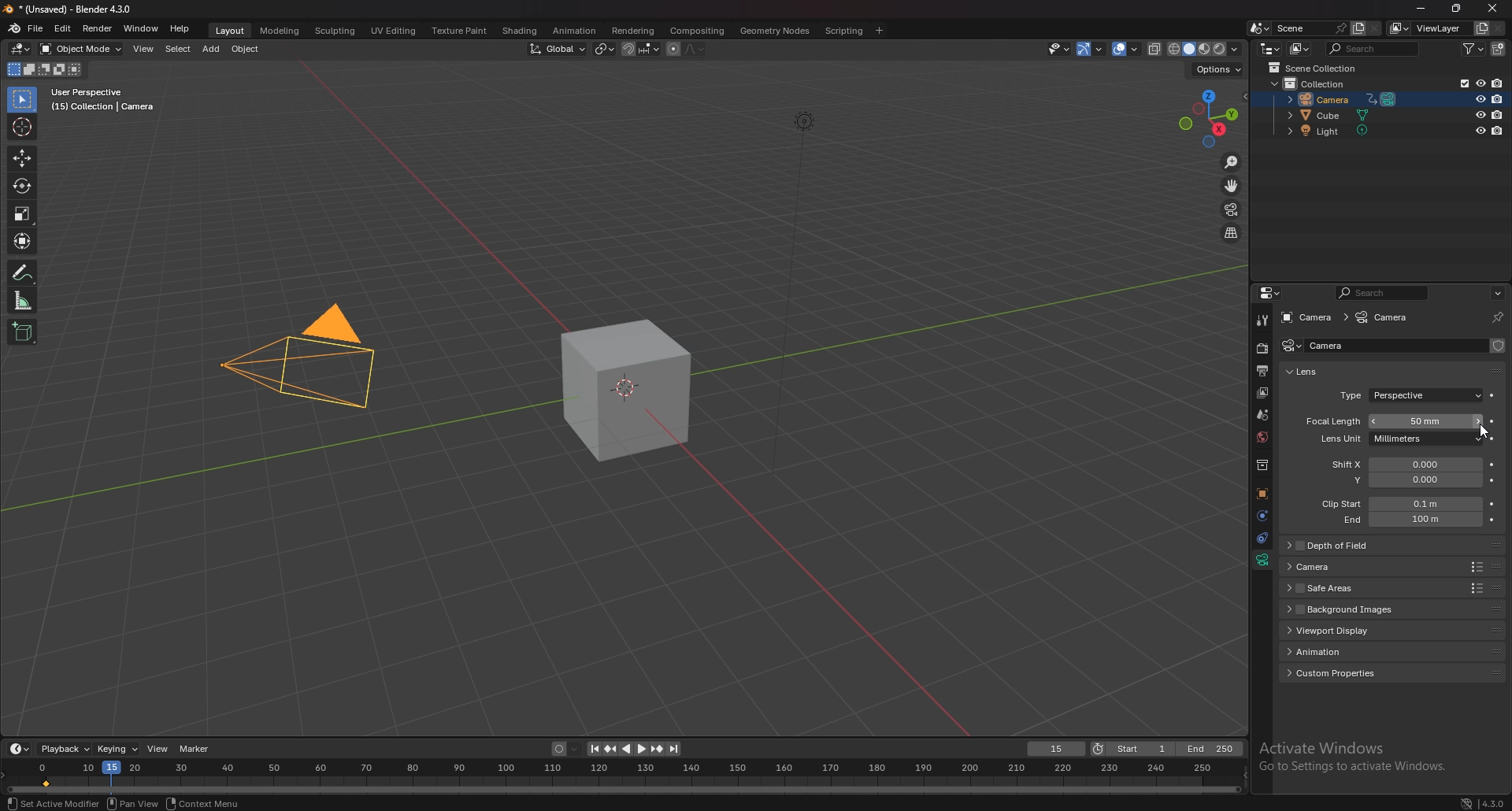 This screenshot has width=1512, height=811. What do you see at coordinates (246, 50) in the screenshot?
I see `object` at bounding box center [246, 50].